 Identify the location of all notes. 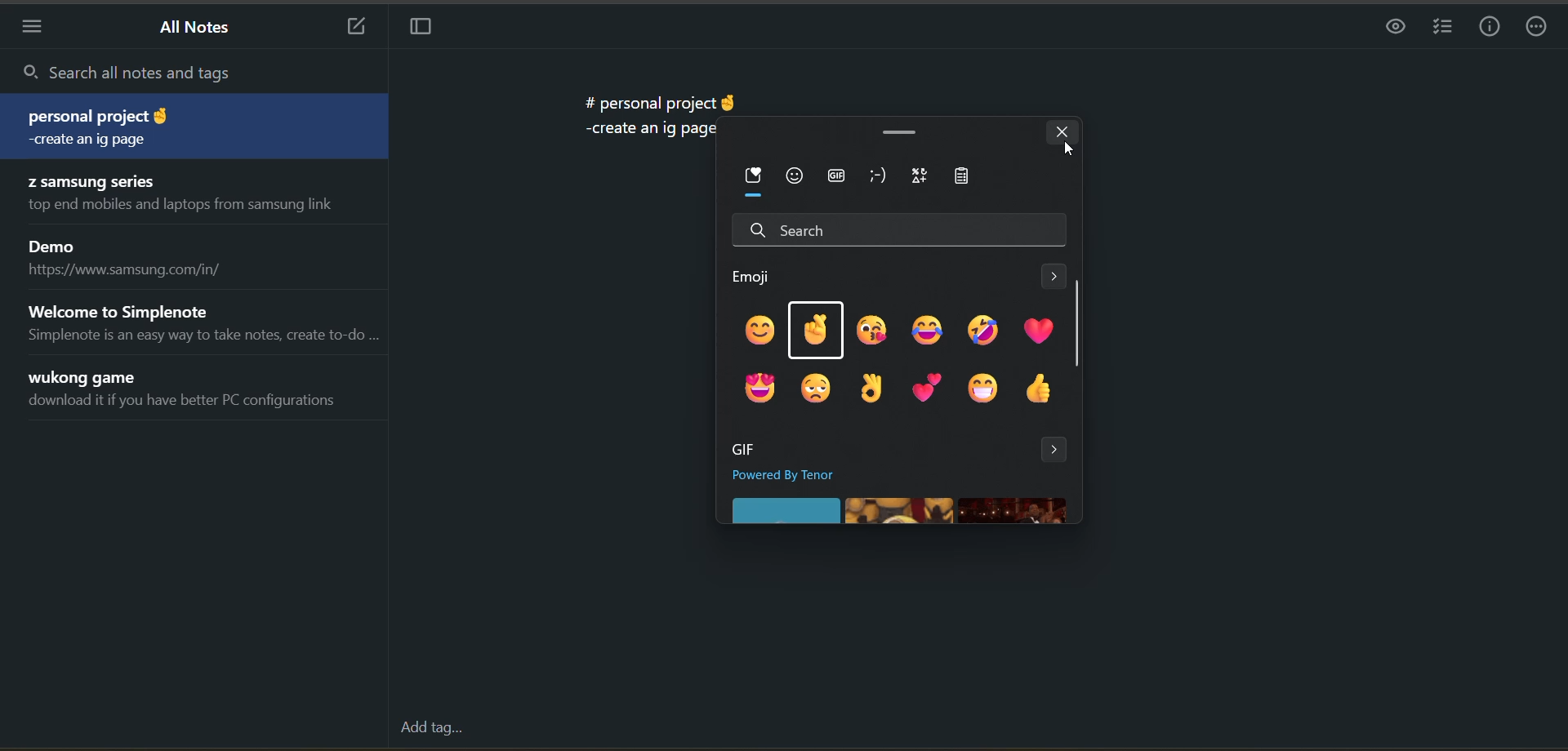
(195, 29).